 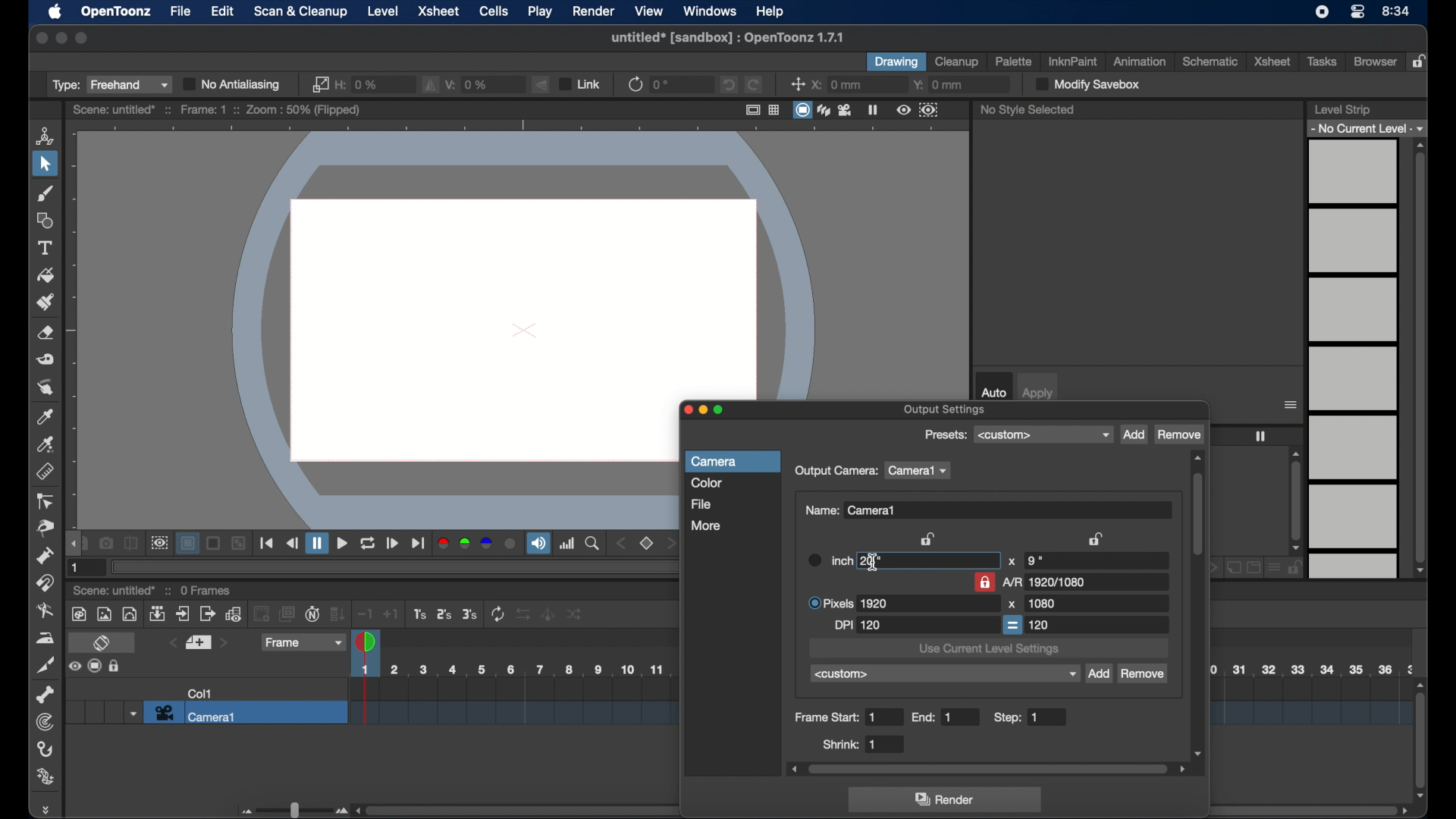 What do you see at coordinates (431, 84) in the screenshot?
I see `fill horizontally` at bounding box center [431, 84].